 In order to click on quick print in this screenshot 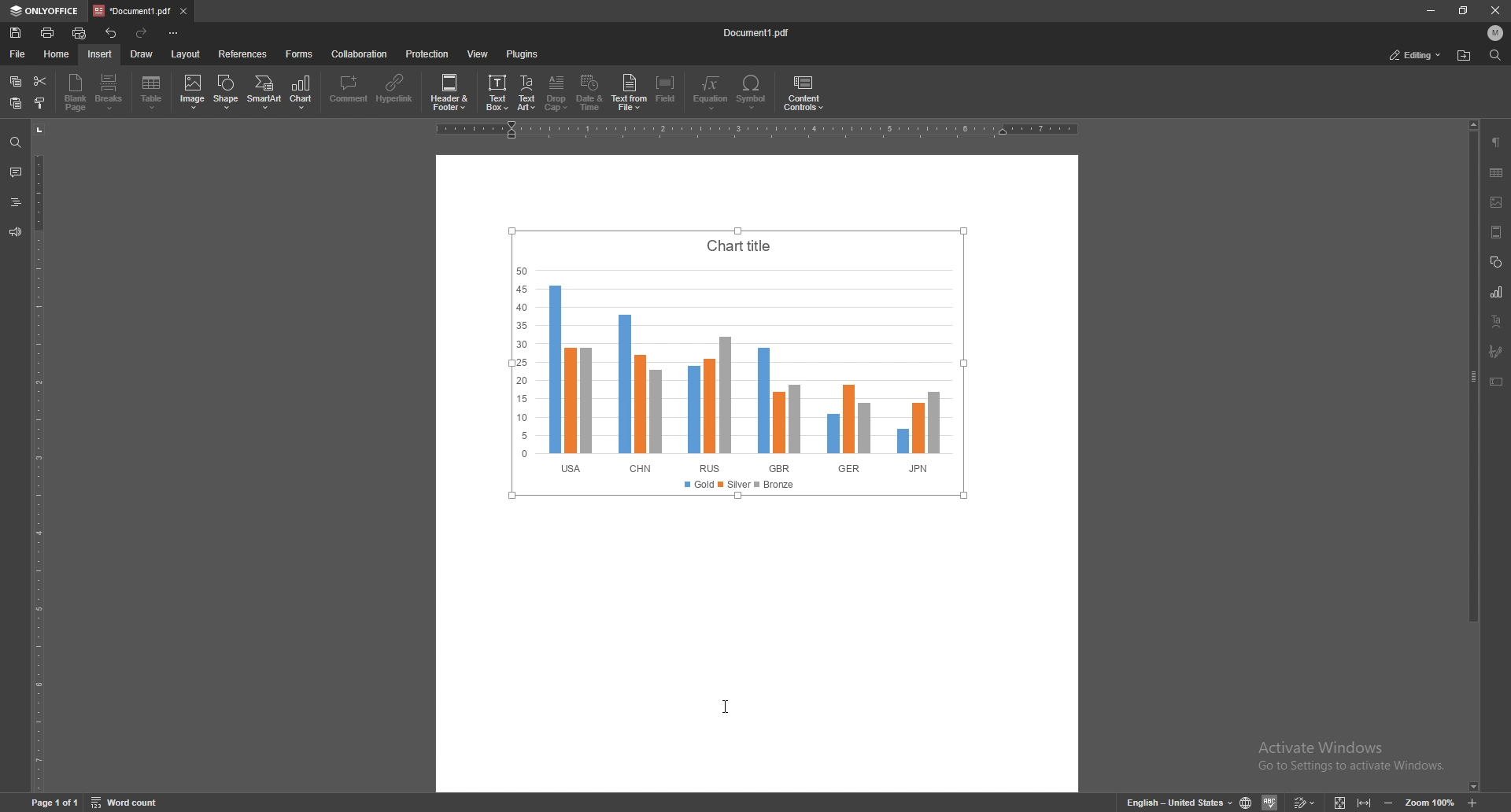, I will do `click(79, 33)`.